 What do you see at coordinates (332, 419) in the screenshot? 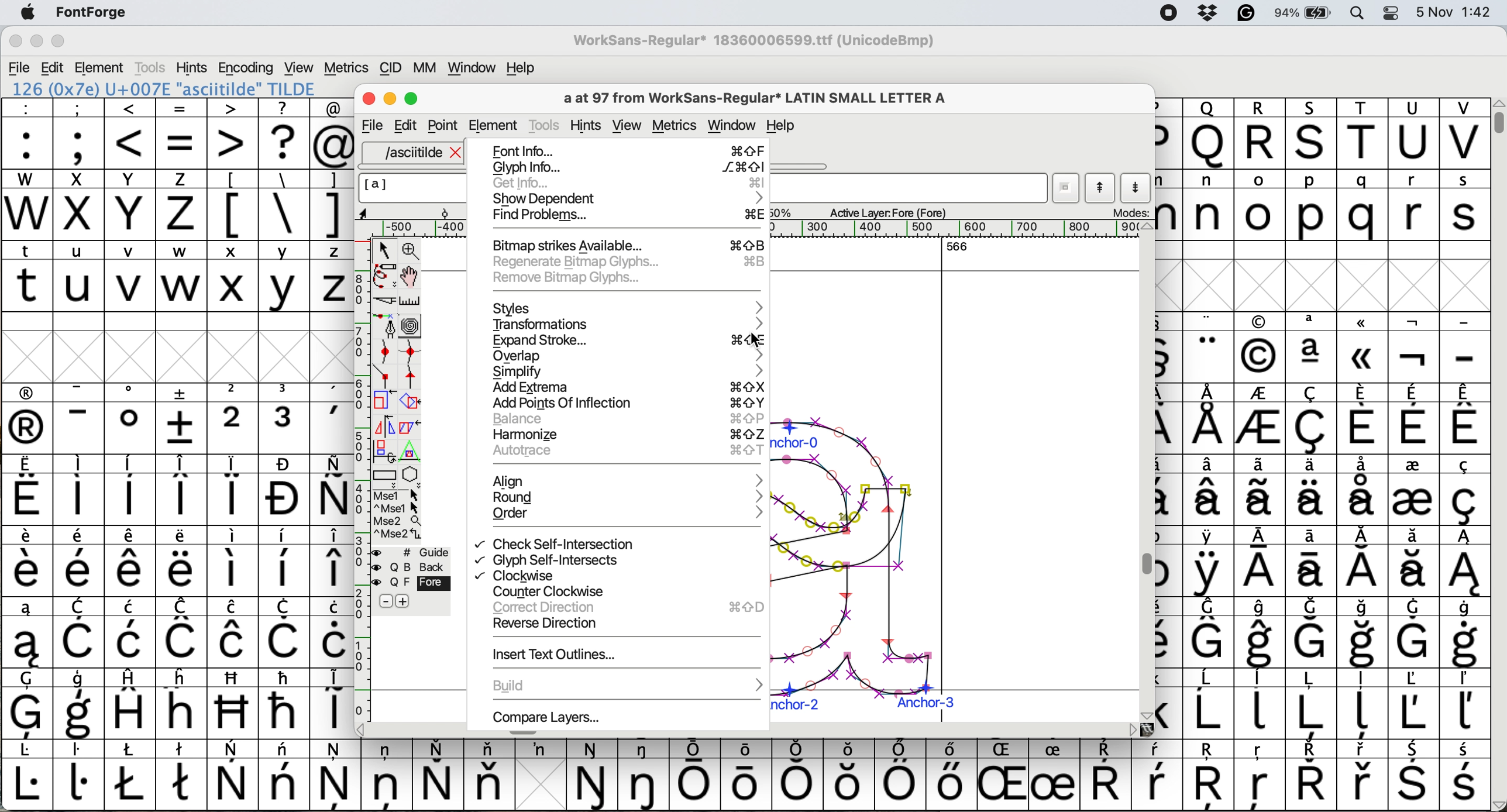
I see `symbol` at bounding box center [332, 419].